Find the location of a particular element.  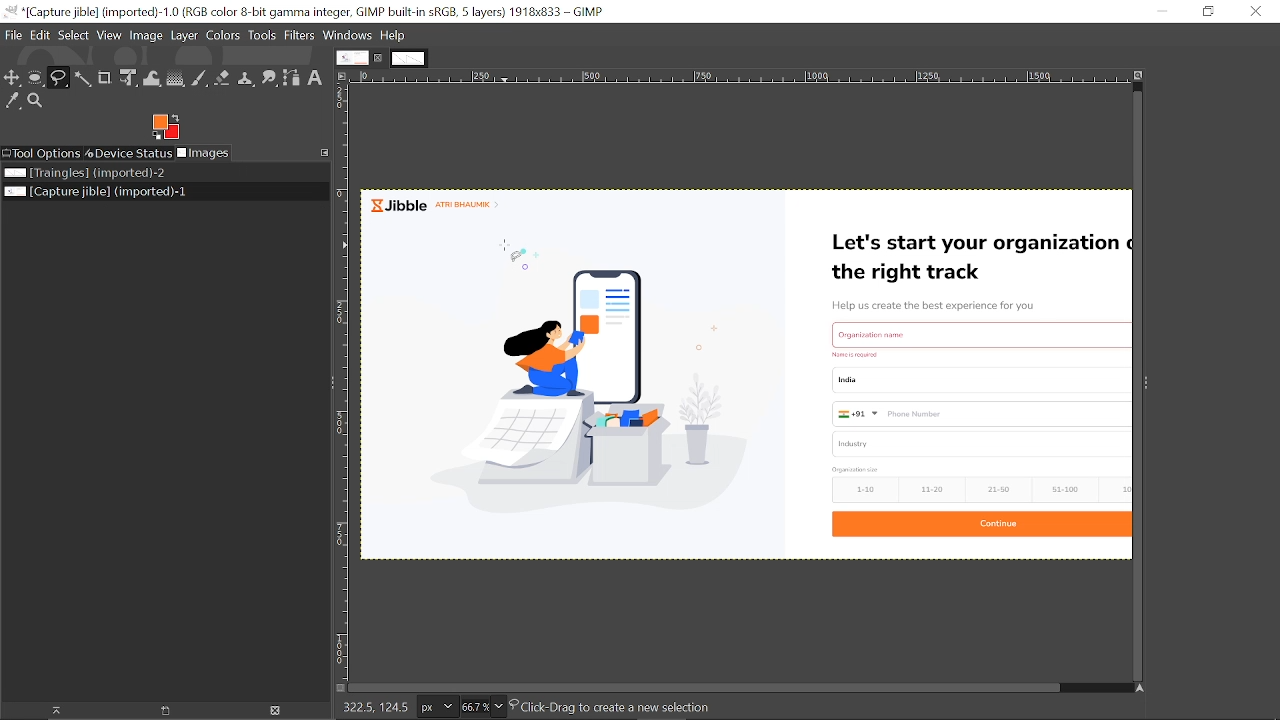

Smudge tool is located at coordinates (269, 79).